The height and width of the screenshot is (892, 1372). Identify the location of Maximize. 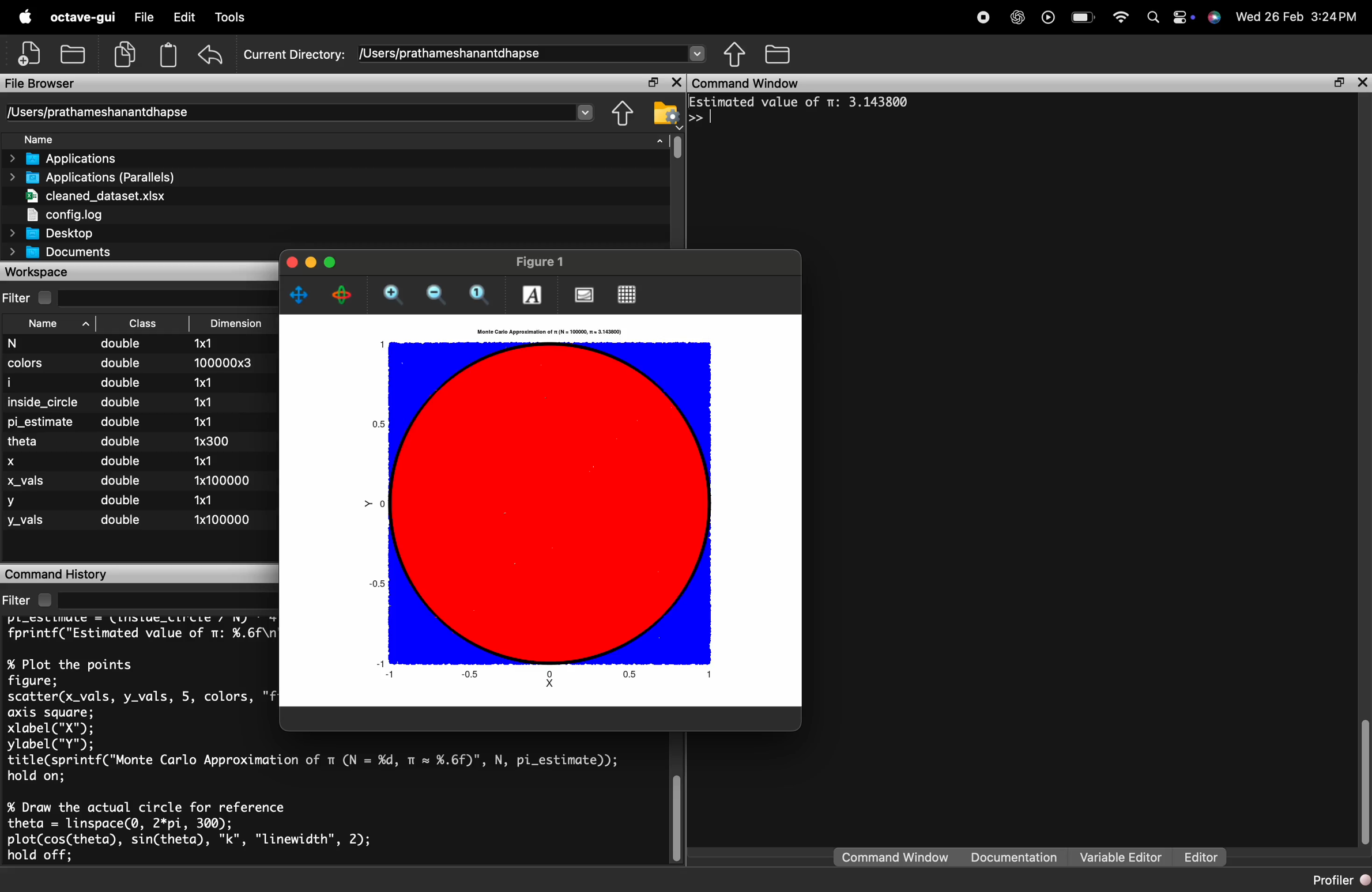
(332, 262).